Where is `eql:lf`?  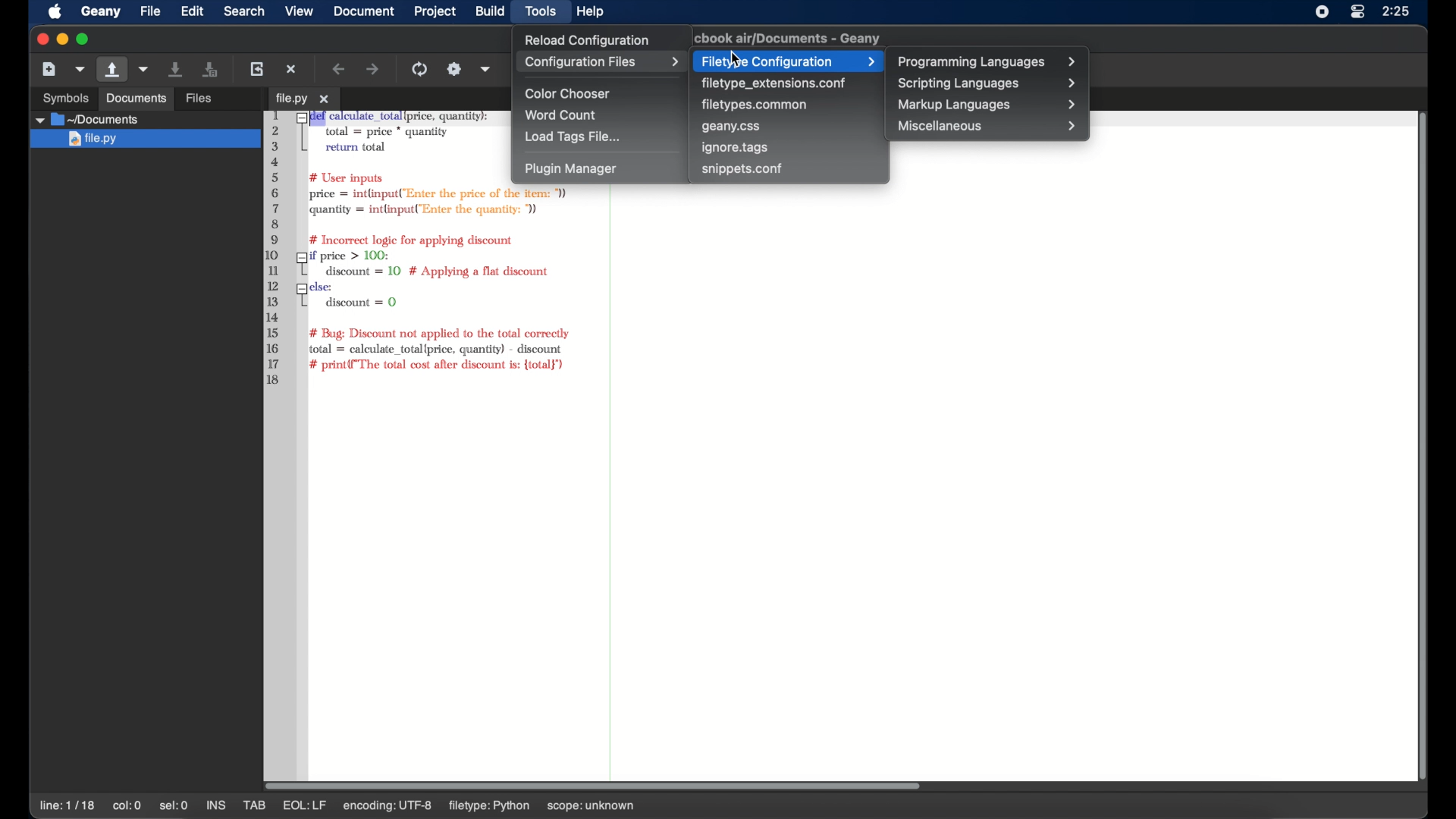 eql:lf is located at coordinates (350, 805).